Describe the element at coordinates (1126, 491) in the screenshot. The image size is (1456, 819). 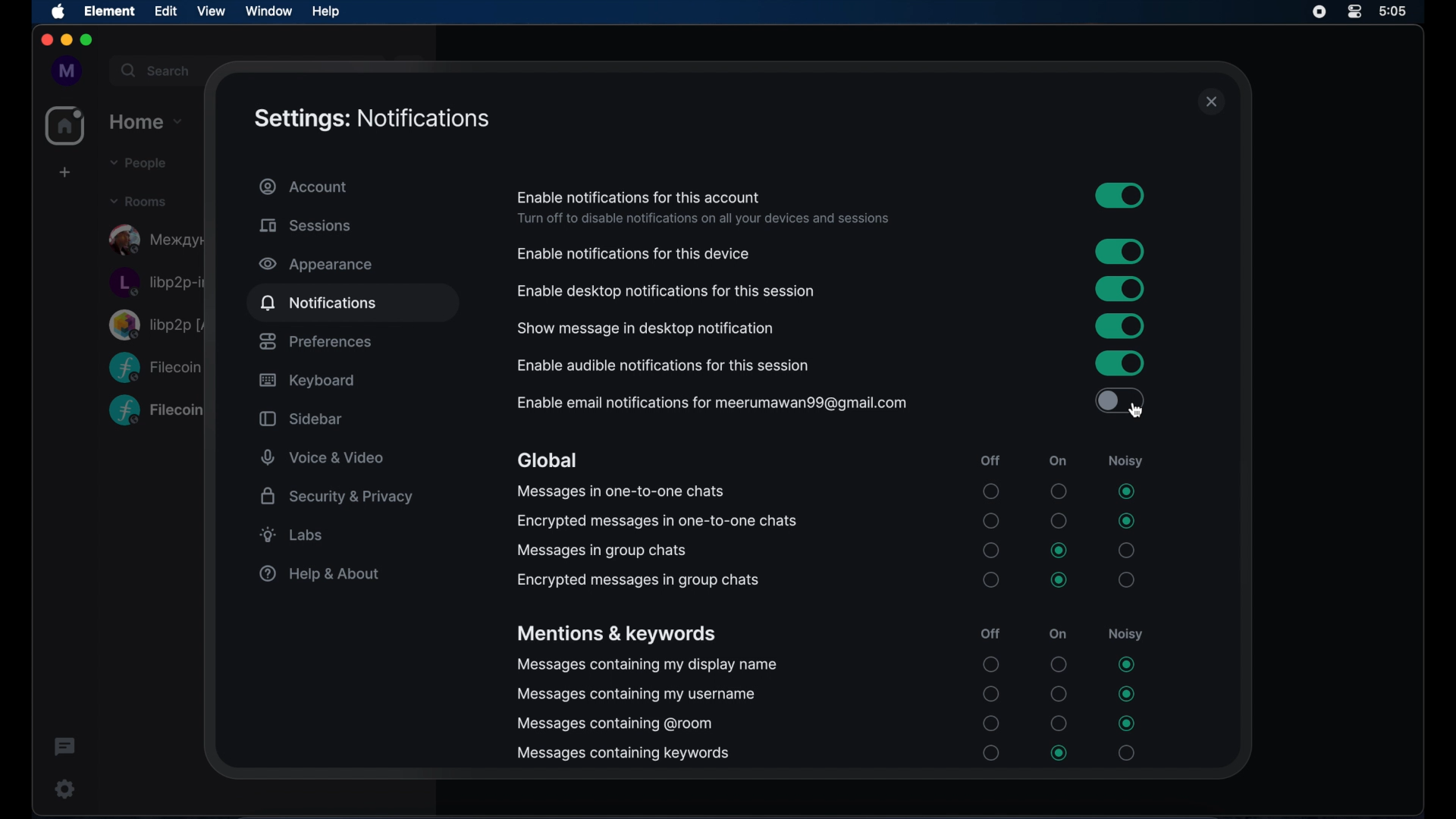
I see `radio button` at that location.